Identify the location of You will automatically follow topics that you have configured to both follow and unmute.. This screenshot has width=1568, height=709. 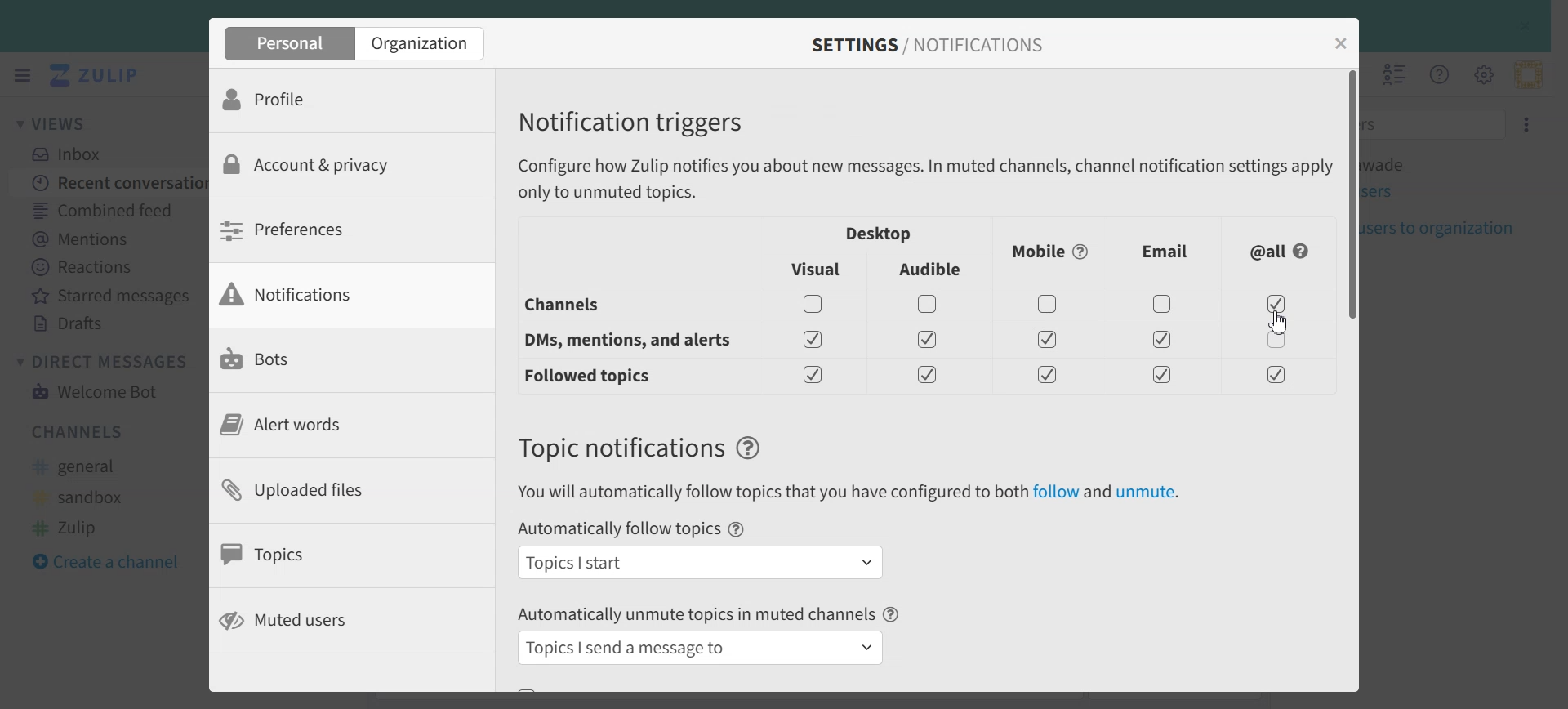
(848, 493).